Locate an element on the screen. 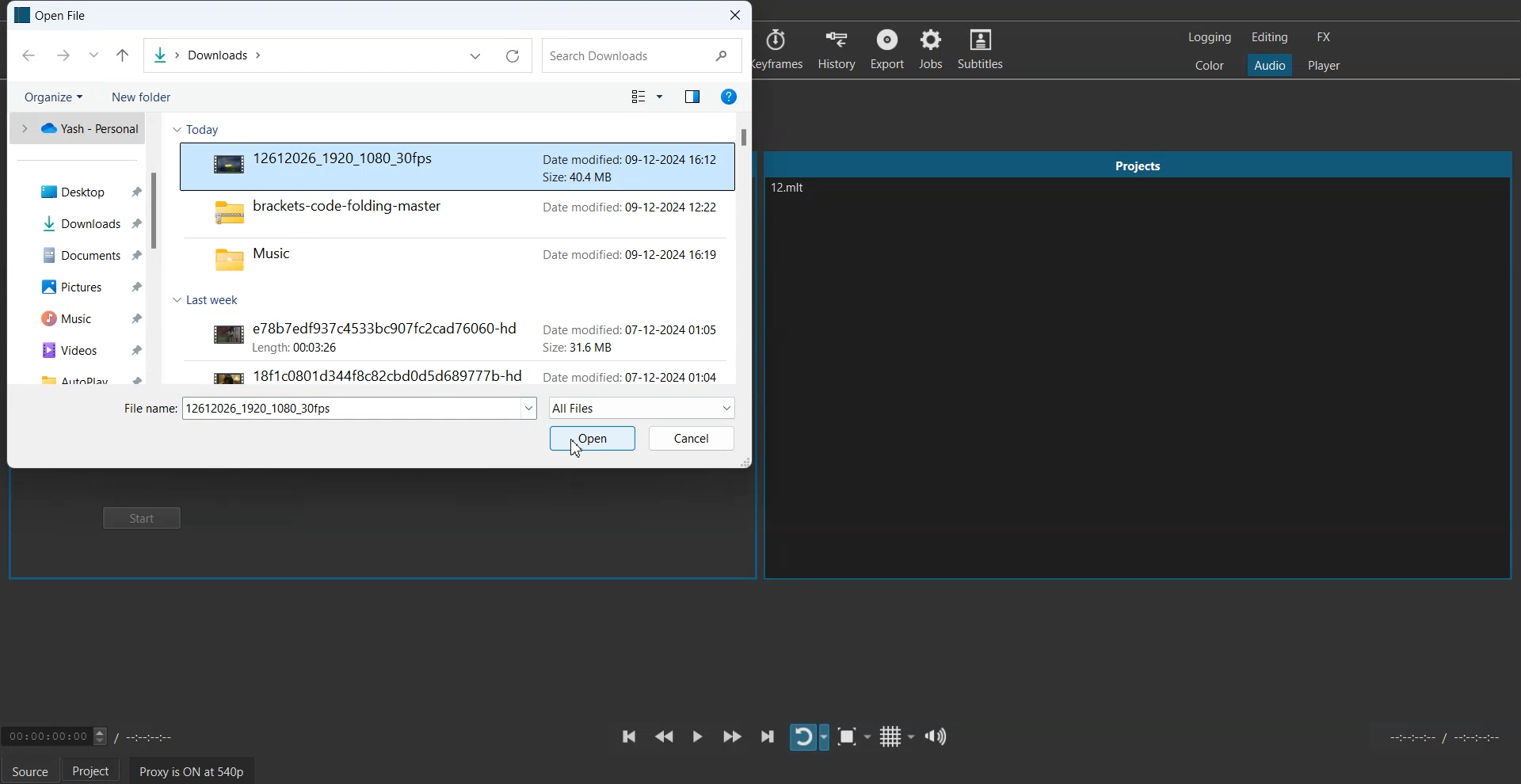  Project is located at coordinates (91, 770).